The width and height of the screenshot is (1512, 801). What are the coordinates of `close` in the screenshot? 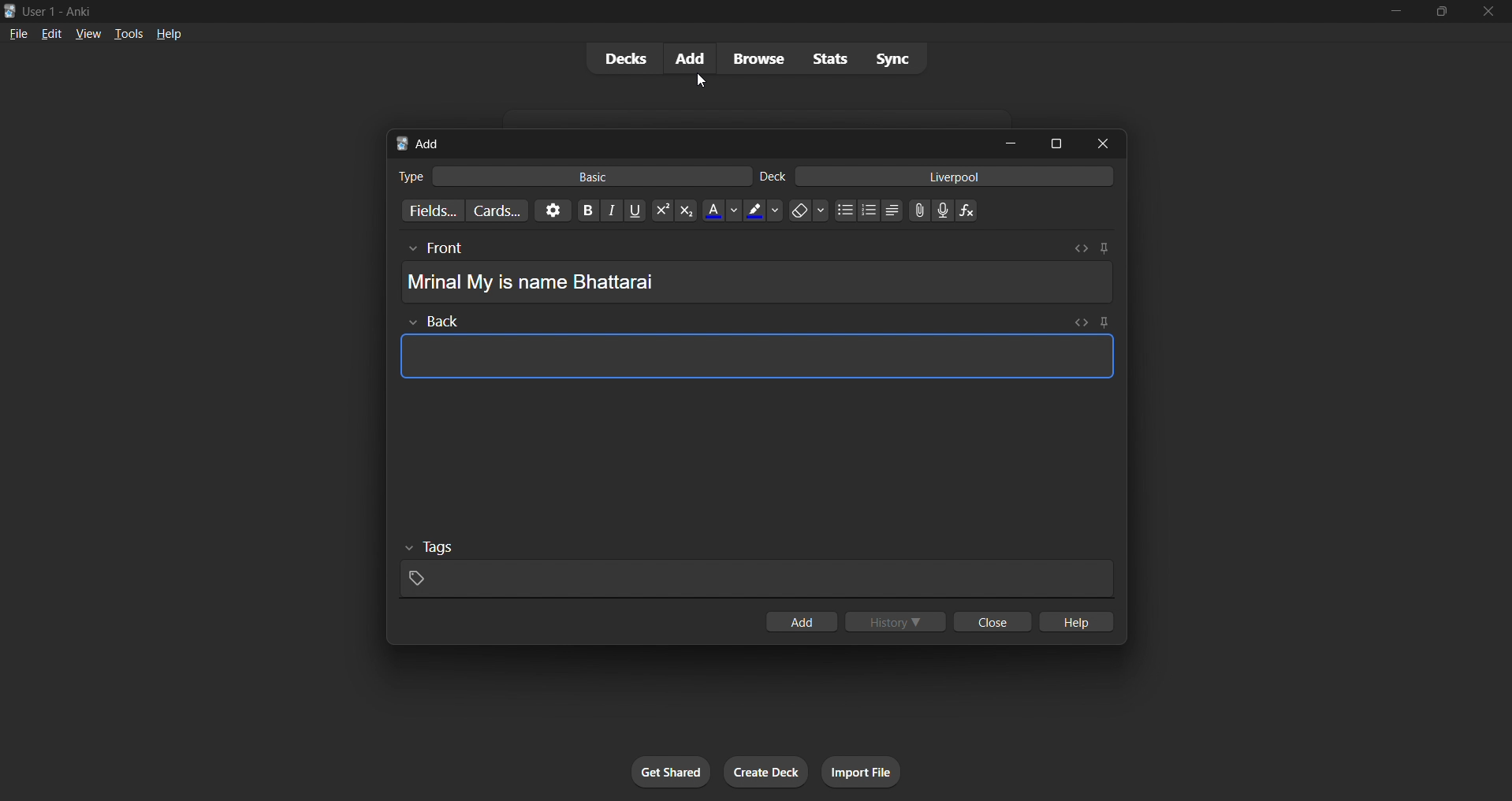 It's located at (1098, 142).